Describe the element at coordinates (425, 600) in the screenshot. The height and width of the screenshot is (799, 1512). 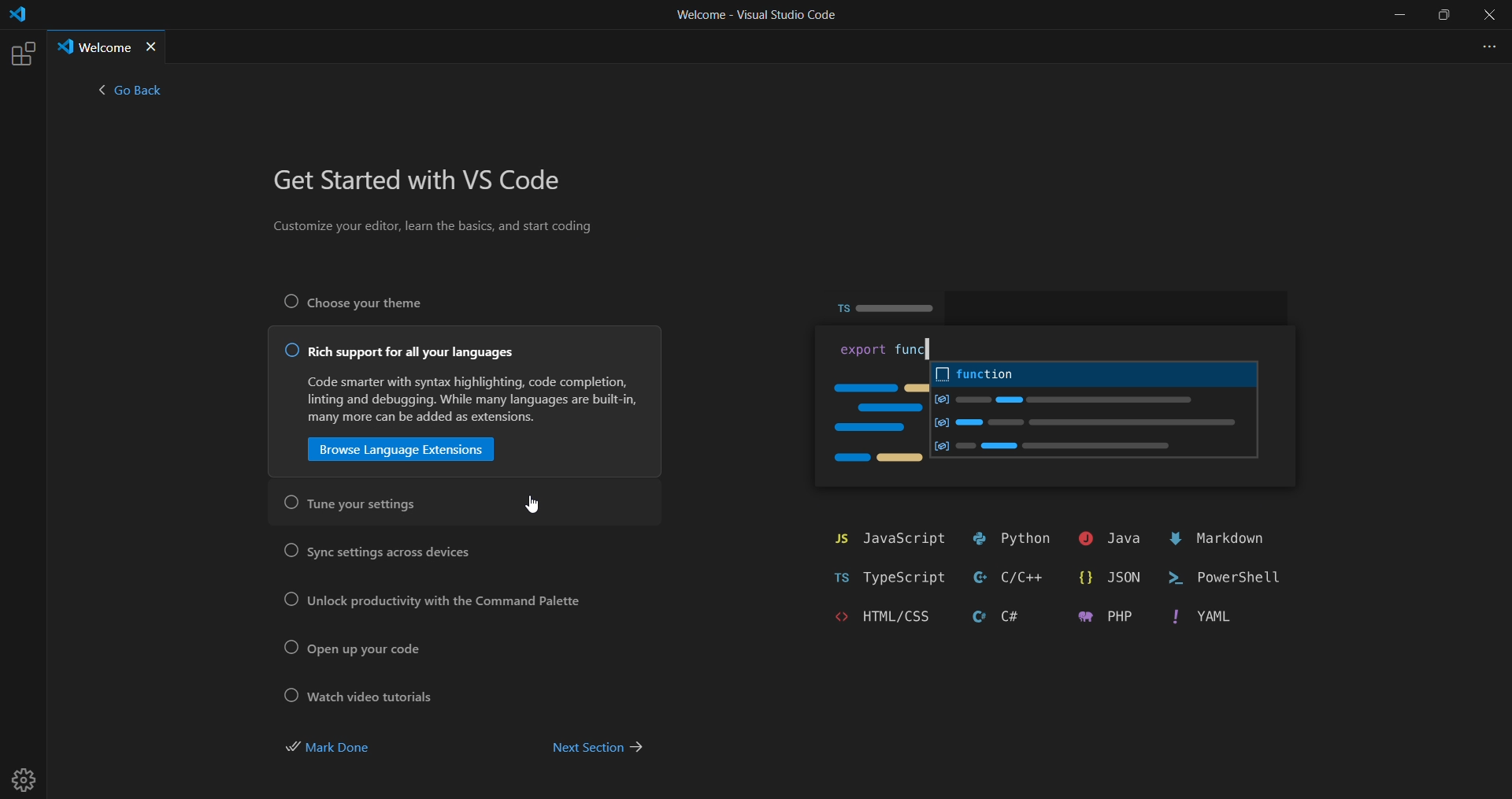
I see `unlock productivity with the command palette` at that location.